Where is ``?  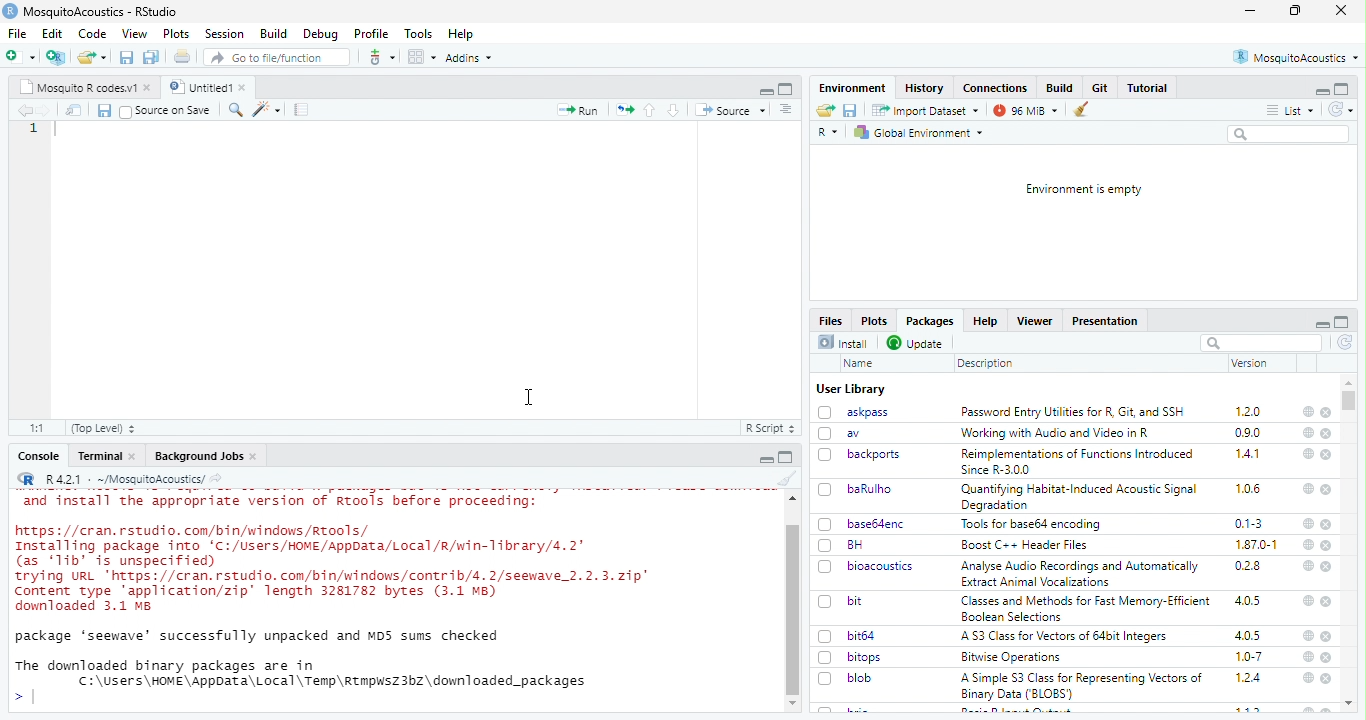  is located at coordinates (793, 703).